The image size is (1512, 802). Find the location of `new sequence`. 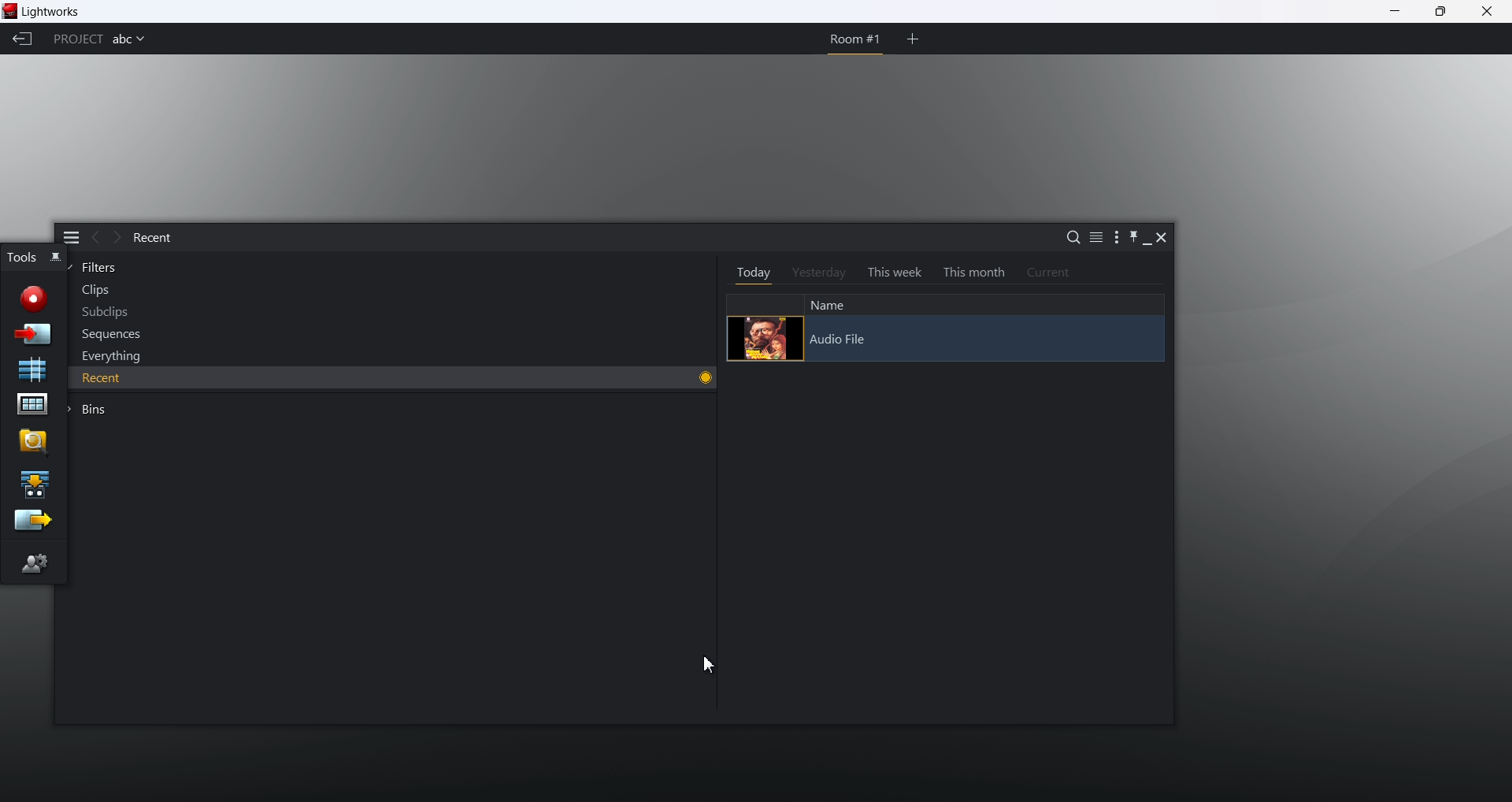

new sequence is located at coordinates (34, 369).